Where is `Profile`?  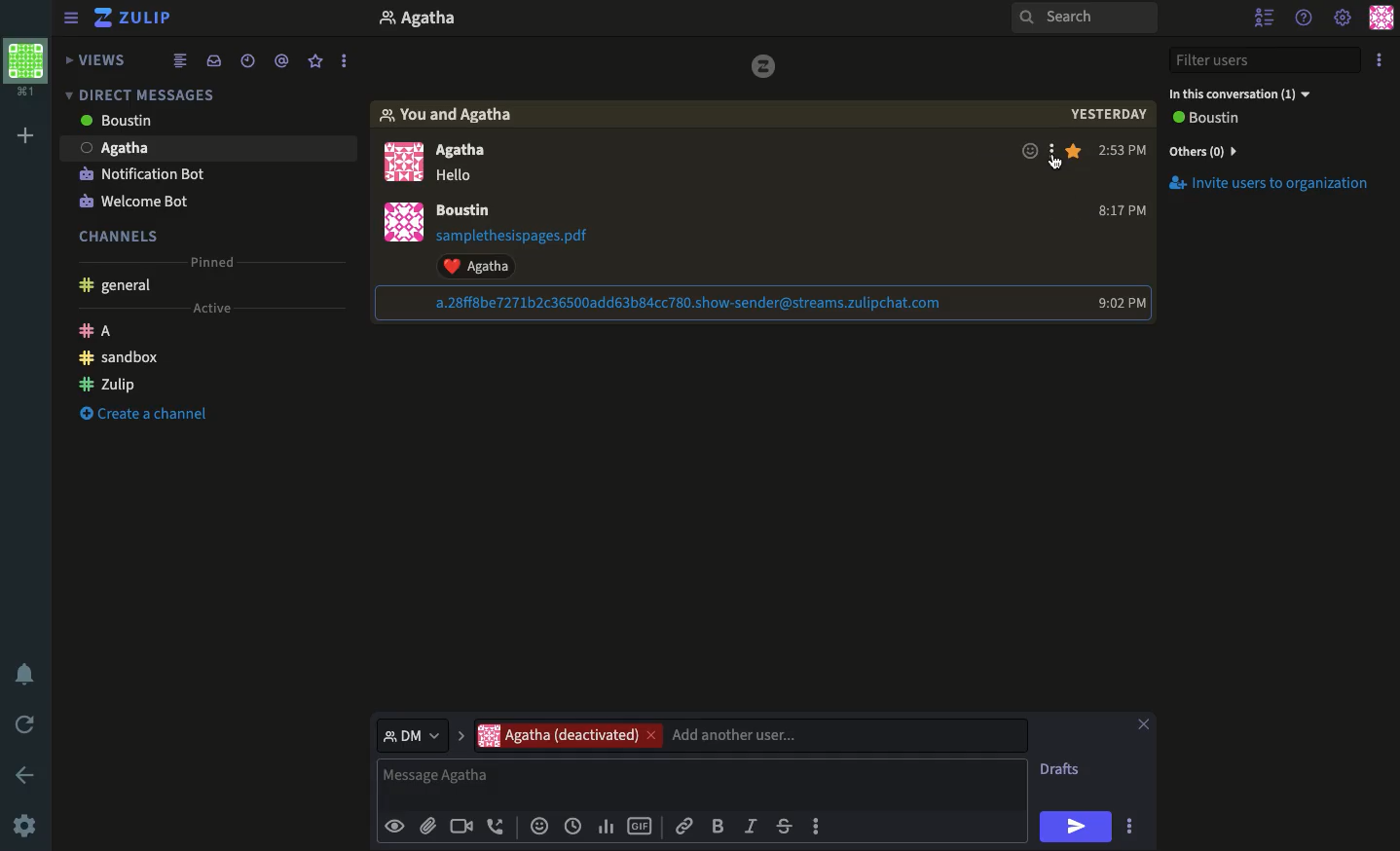 Profile is located at coordinates (26, 71).